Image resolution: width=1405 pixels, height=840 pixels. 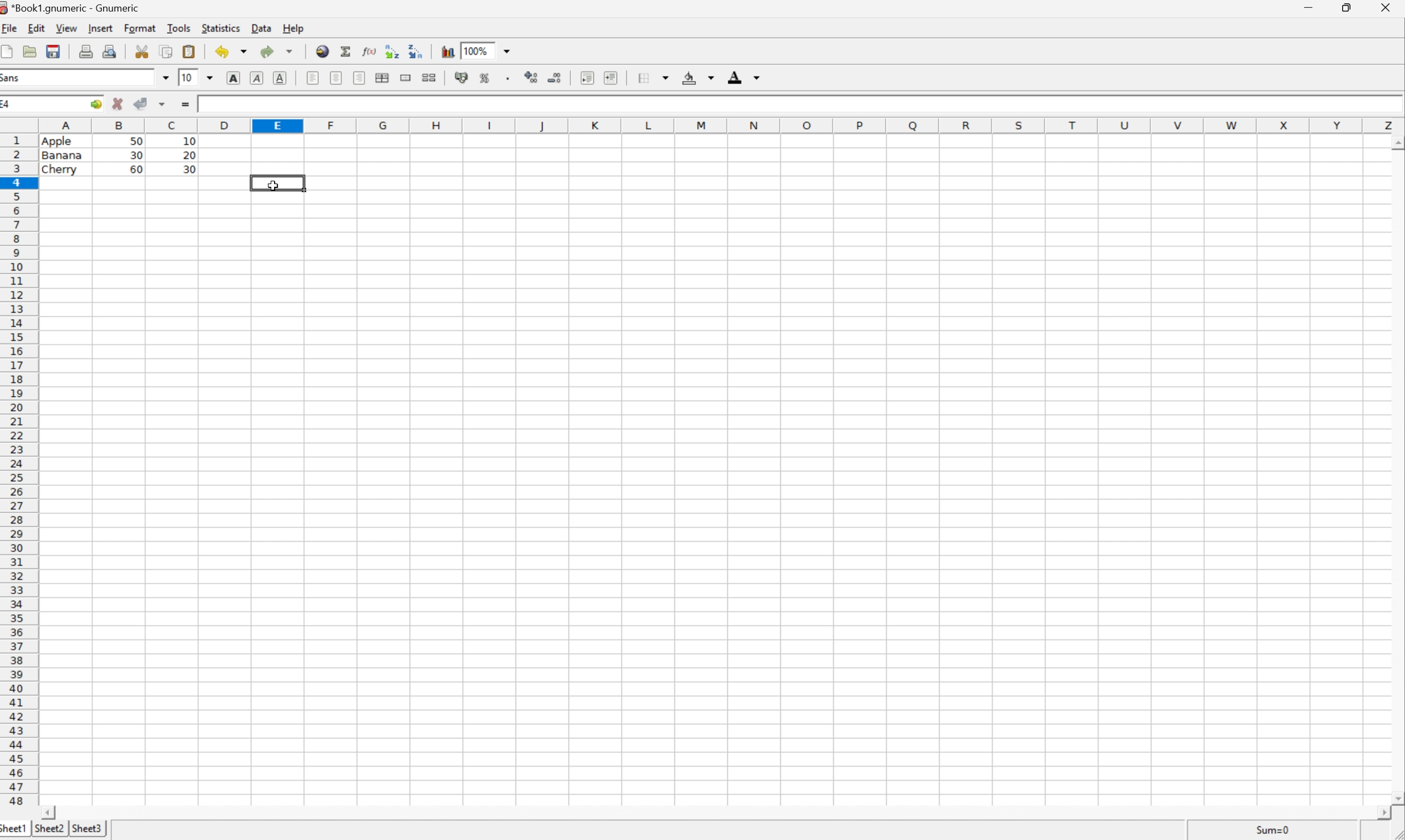 What do you see at coordinates (475, 49) in the screenshot?
I see `100%` at bounding box center [475, 49].